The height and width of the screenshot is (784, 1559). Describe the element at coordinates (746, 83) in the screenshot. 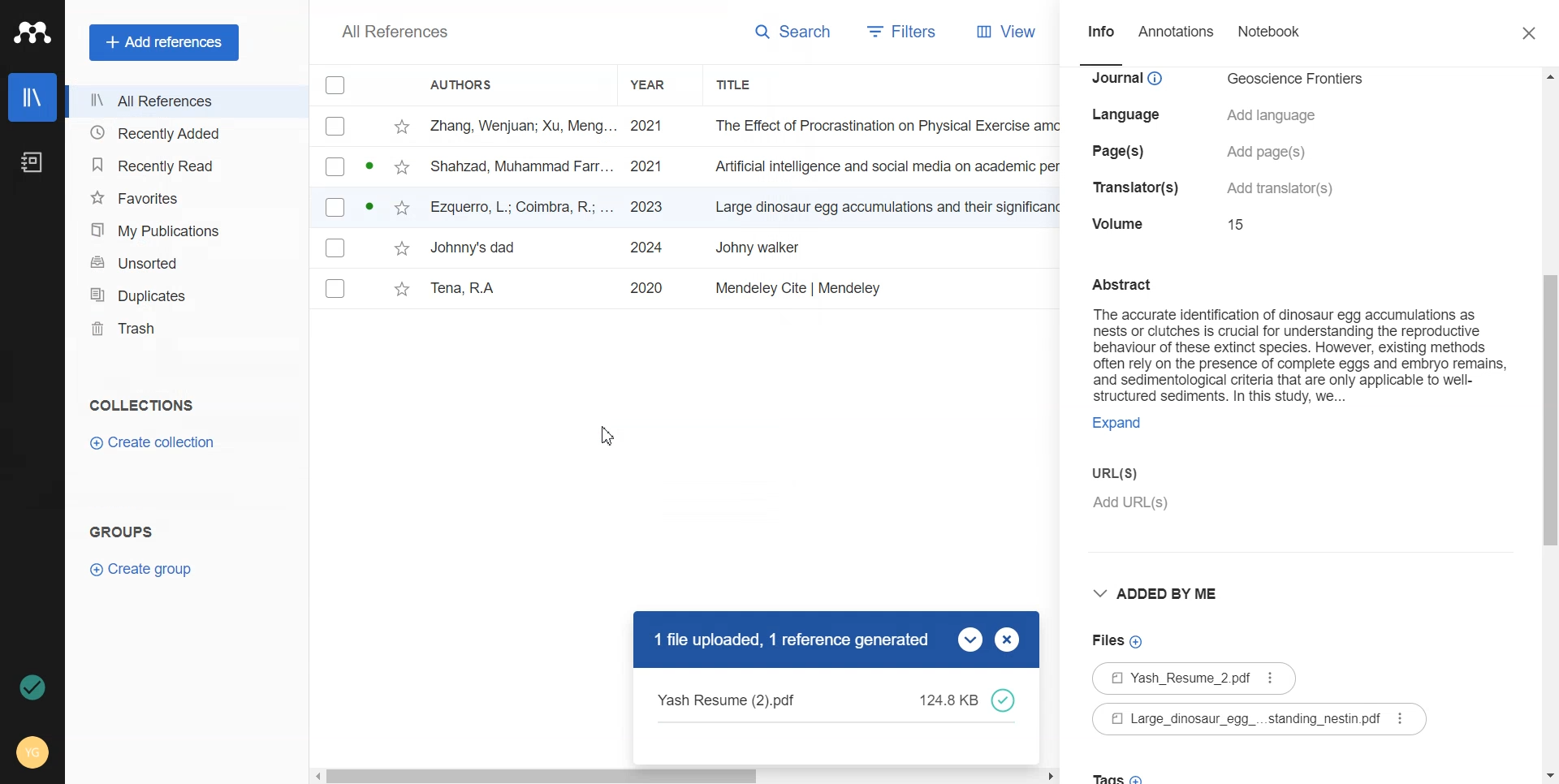

I see `Title` at that location.